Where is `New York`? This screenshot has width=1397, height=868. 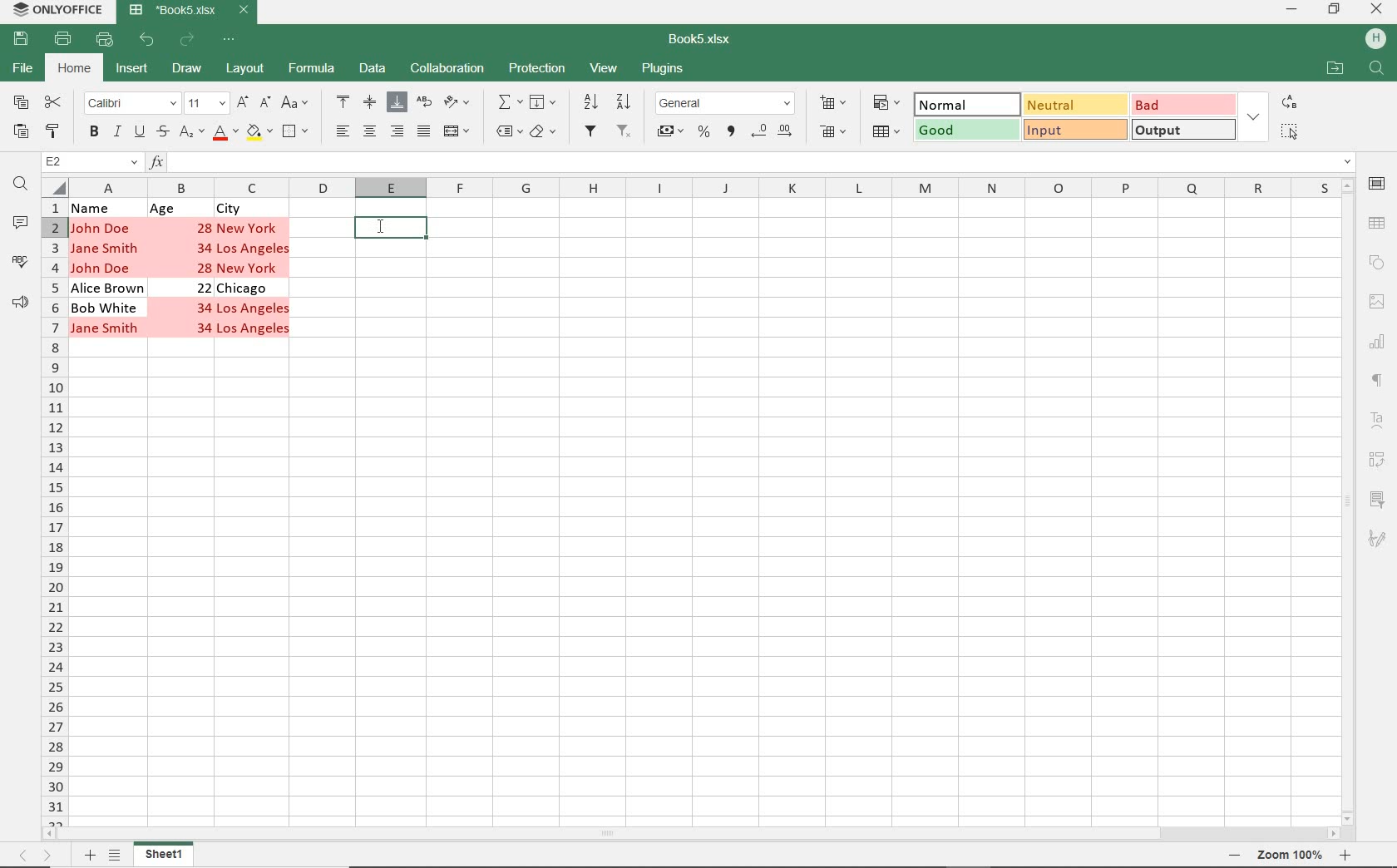
New York is located at coordinates (249, 227).